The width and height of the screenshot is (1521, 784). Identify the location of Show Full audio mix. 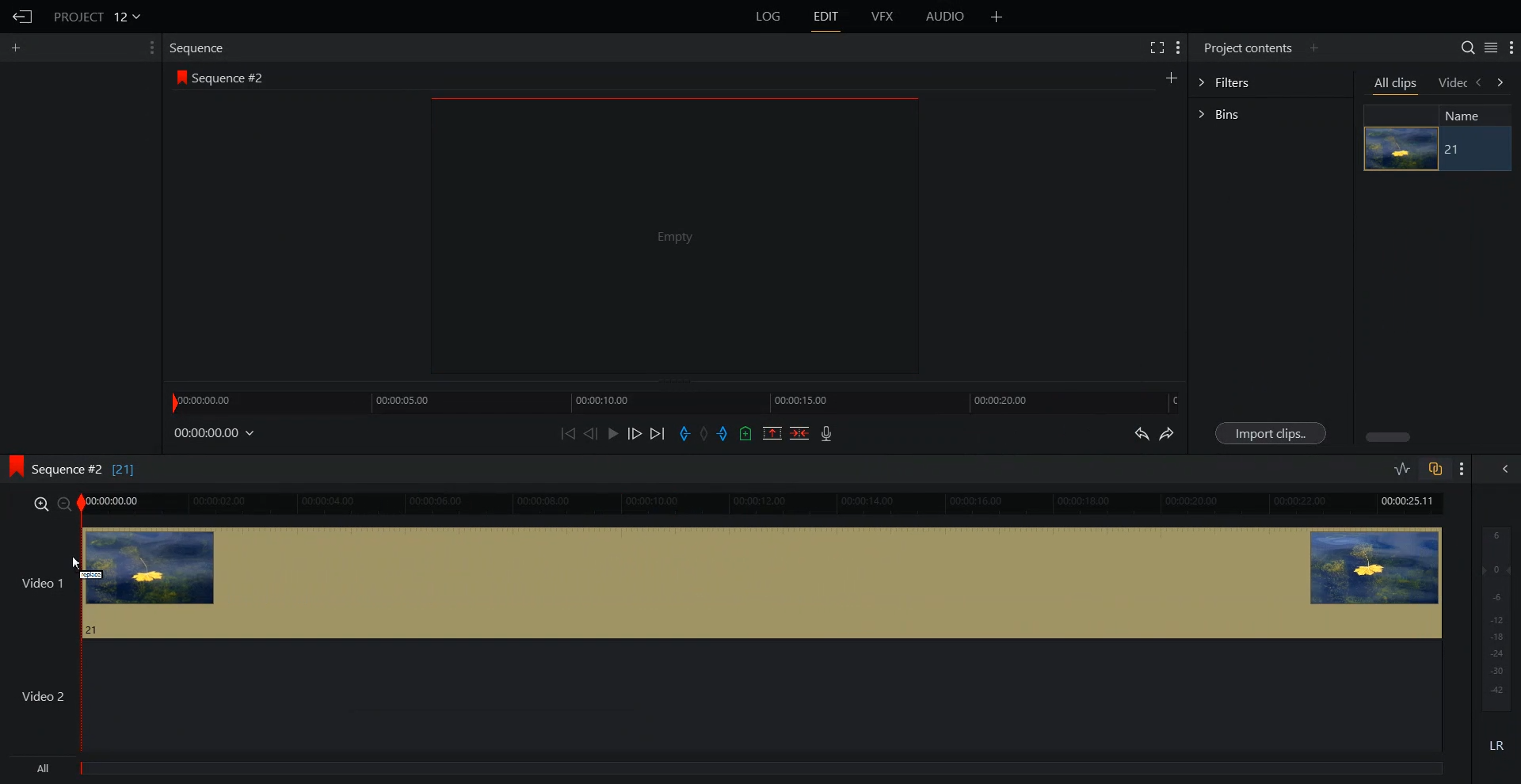
(1500, 469).